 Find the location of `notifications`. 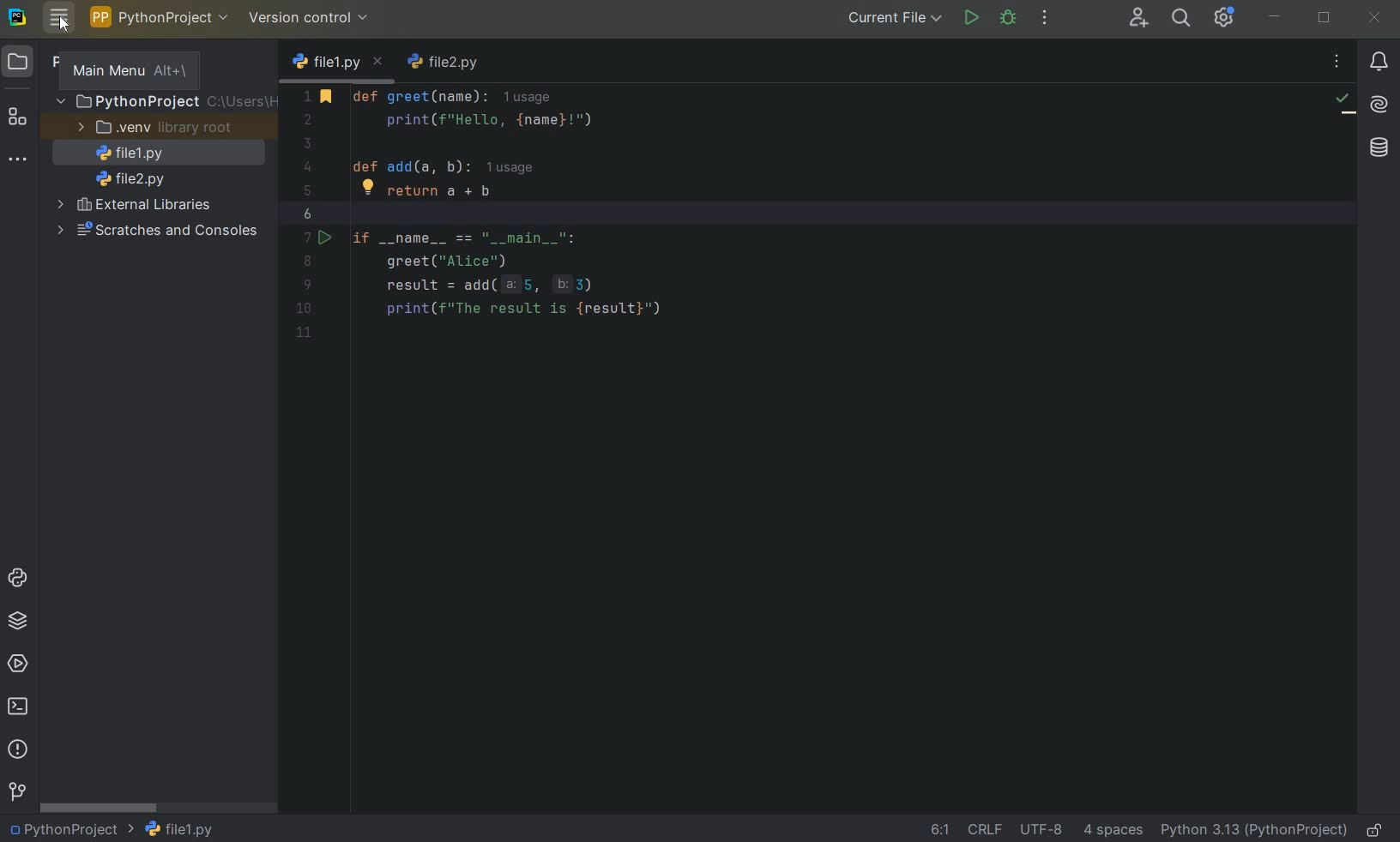

notifications is located at coordinates (1380, 62).